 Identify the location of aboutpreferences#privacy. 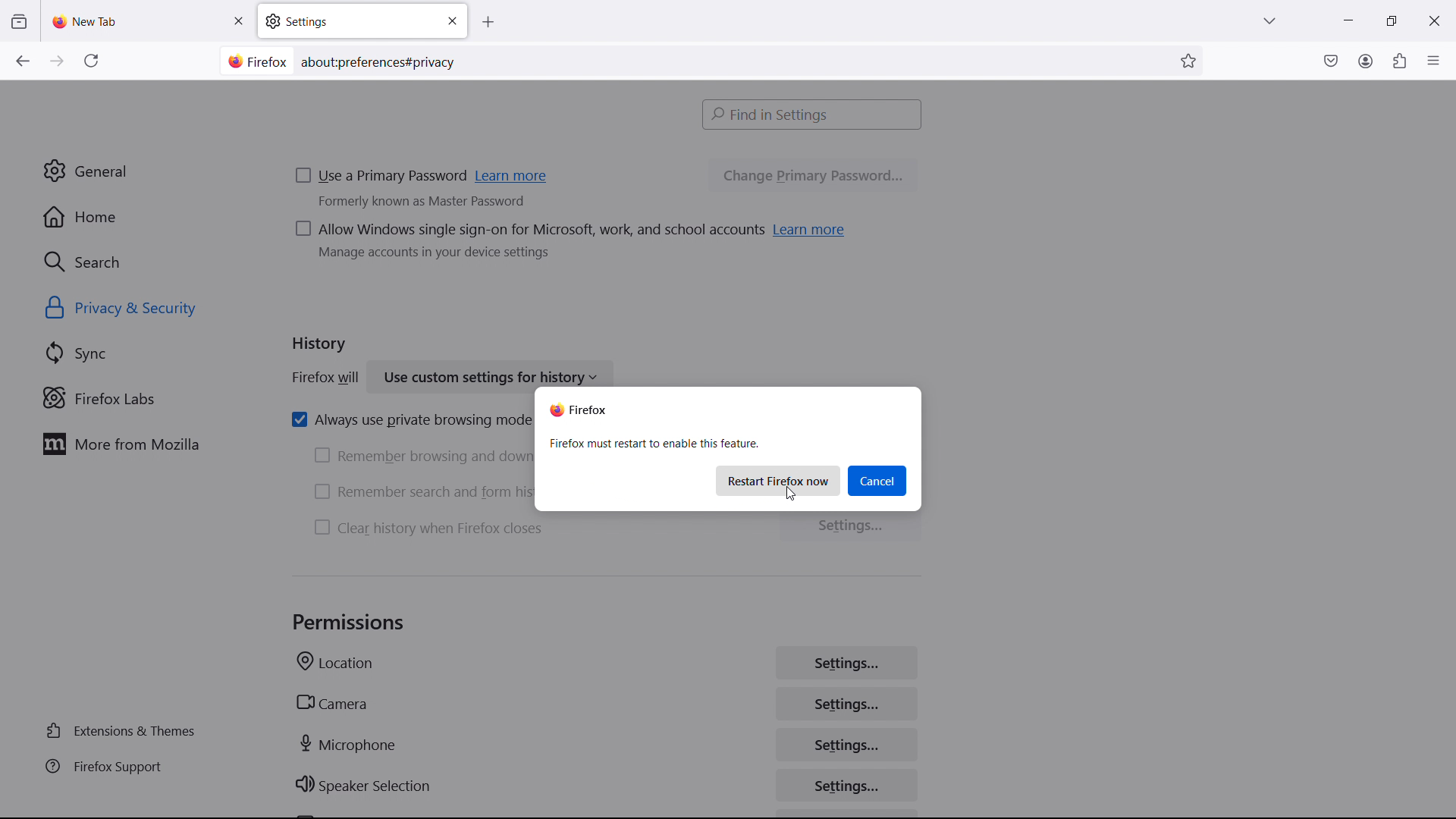
(384, 59).